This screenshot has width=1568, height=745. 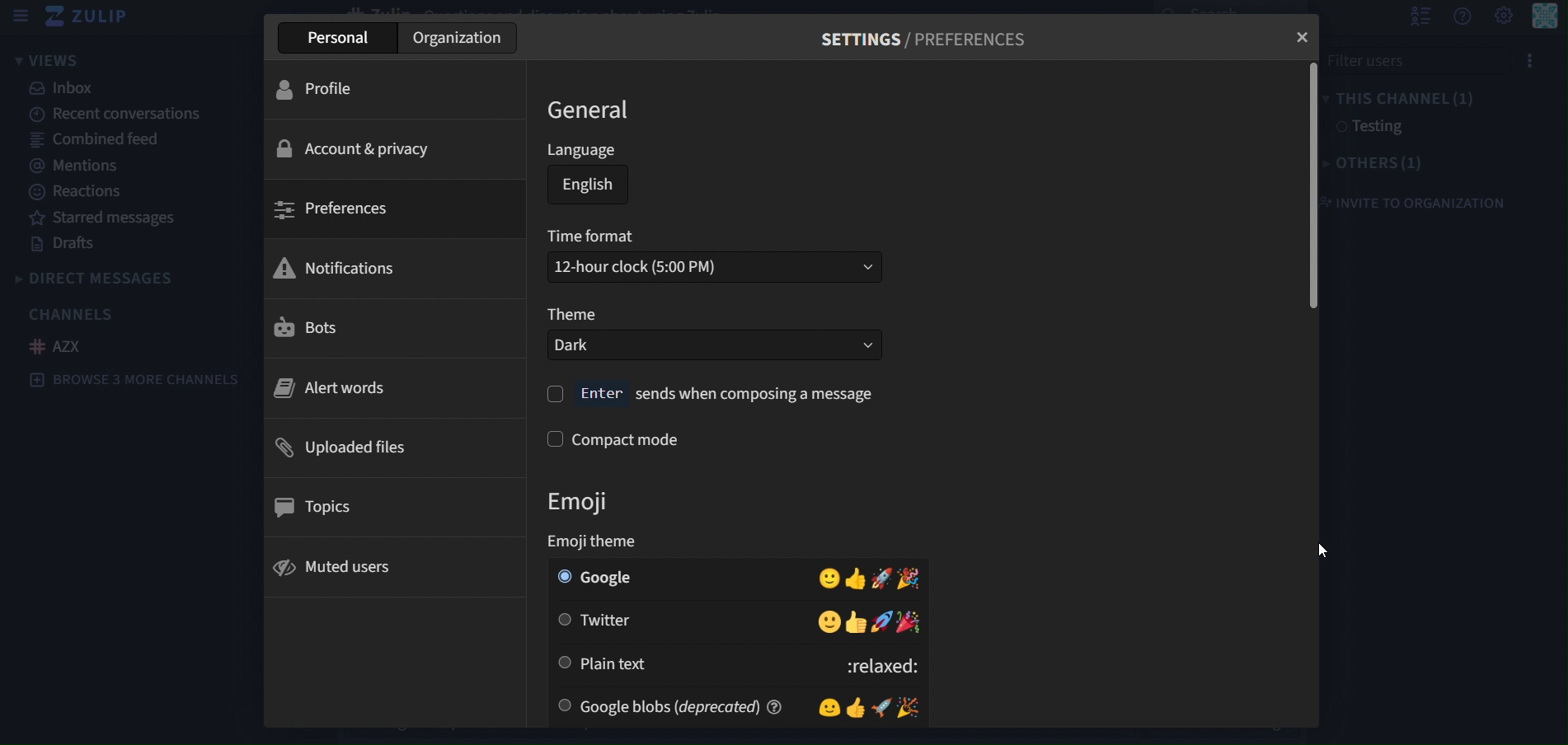 I want to click on AZX, so click(x=55, y=345).